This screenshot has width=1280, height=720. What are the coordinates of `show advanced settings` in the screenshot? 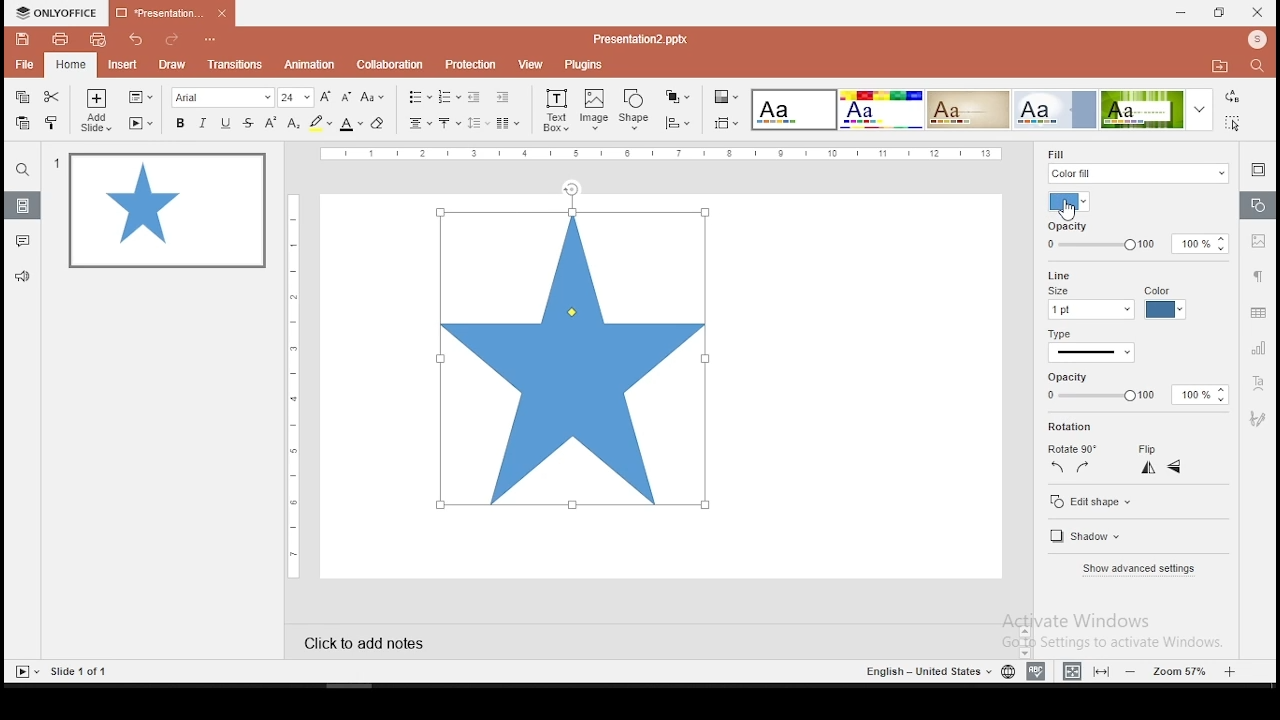 It's located at (1141, 567).